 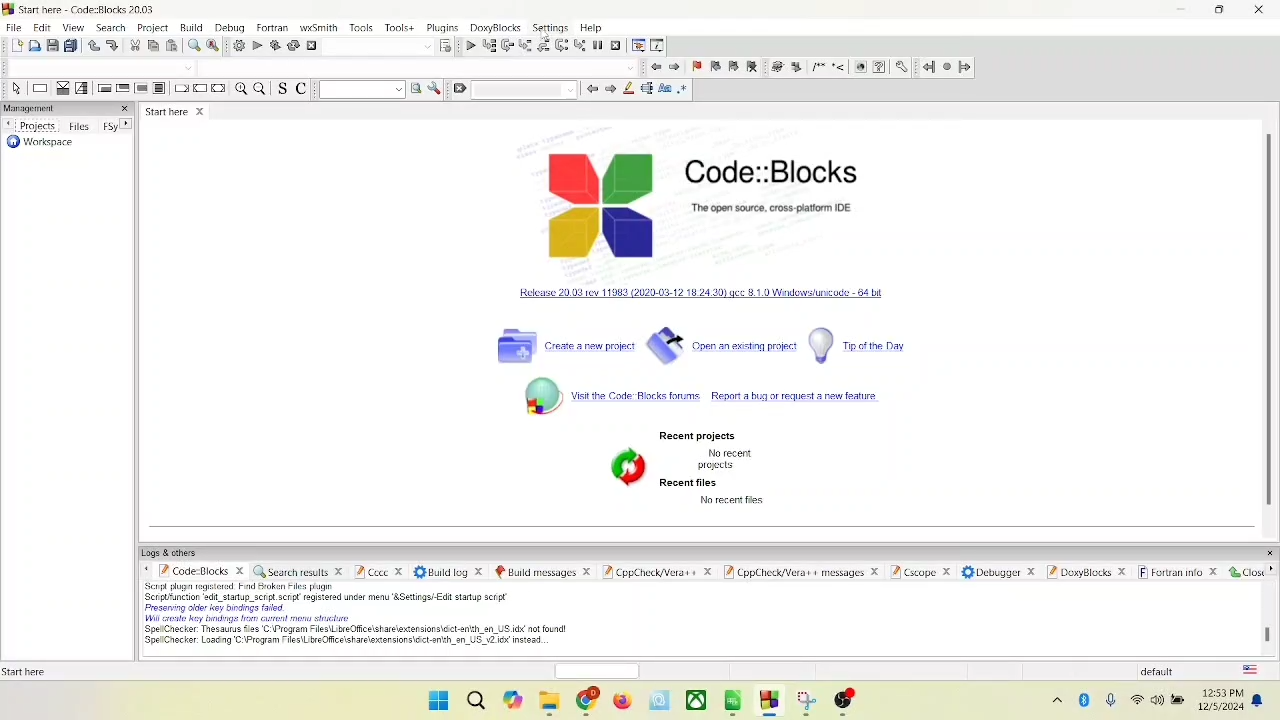 I want to click on build, so click(x=238, y=46).